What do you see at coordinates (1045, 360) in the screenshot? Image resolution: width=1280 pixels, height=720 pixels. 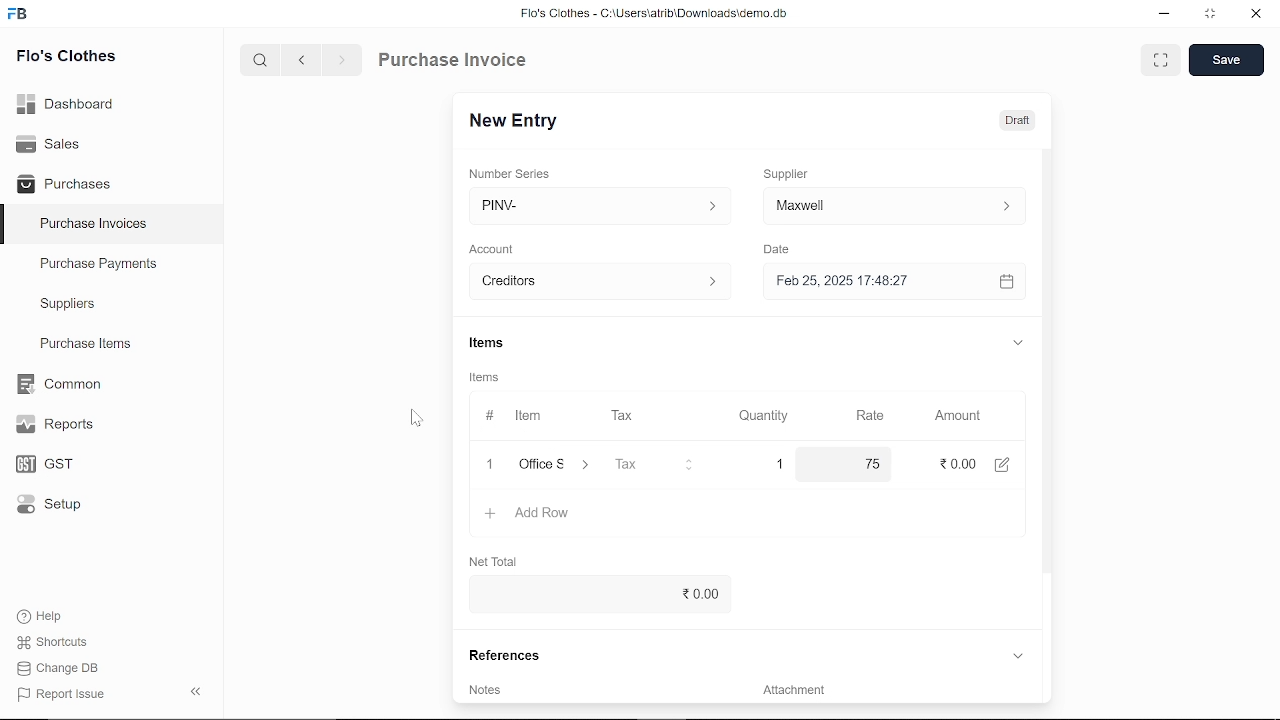 I see `vertical scrollbar` at bounding box center [1045, 360].